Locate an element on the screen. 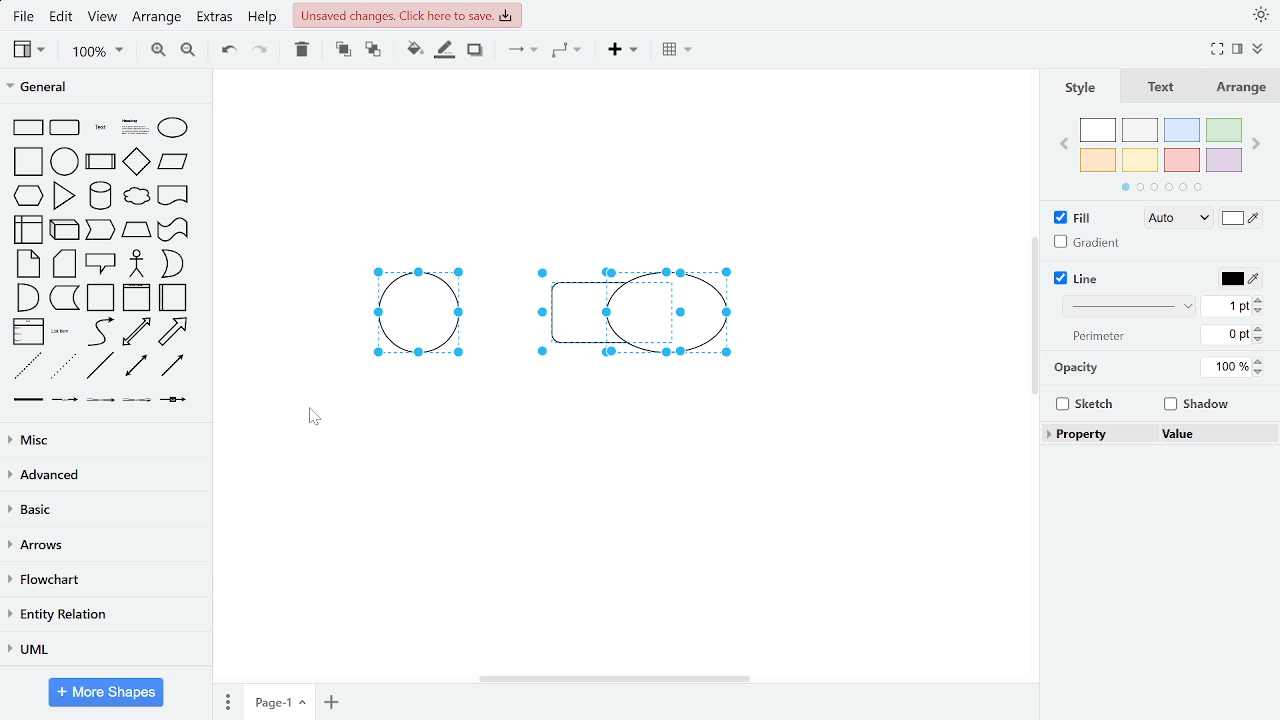 The width and height of the screenshot is (1280, 720). 1 pt is located at coordinates (1227, 307).